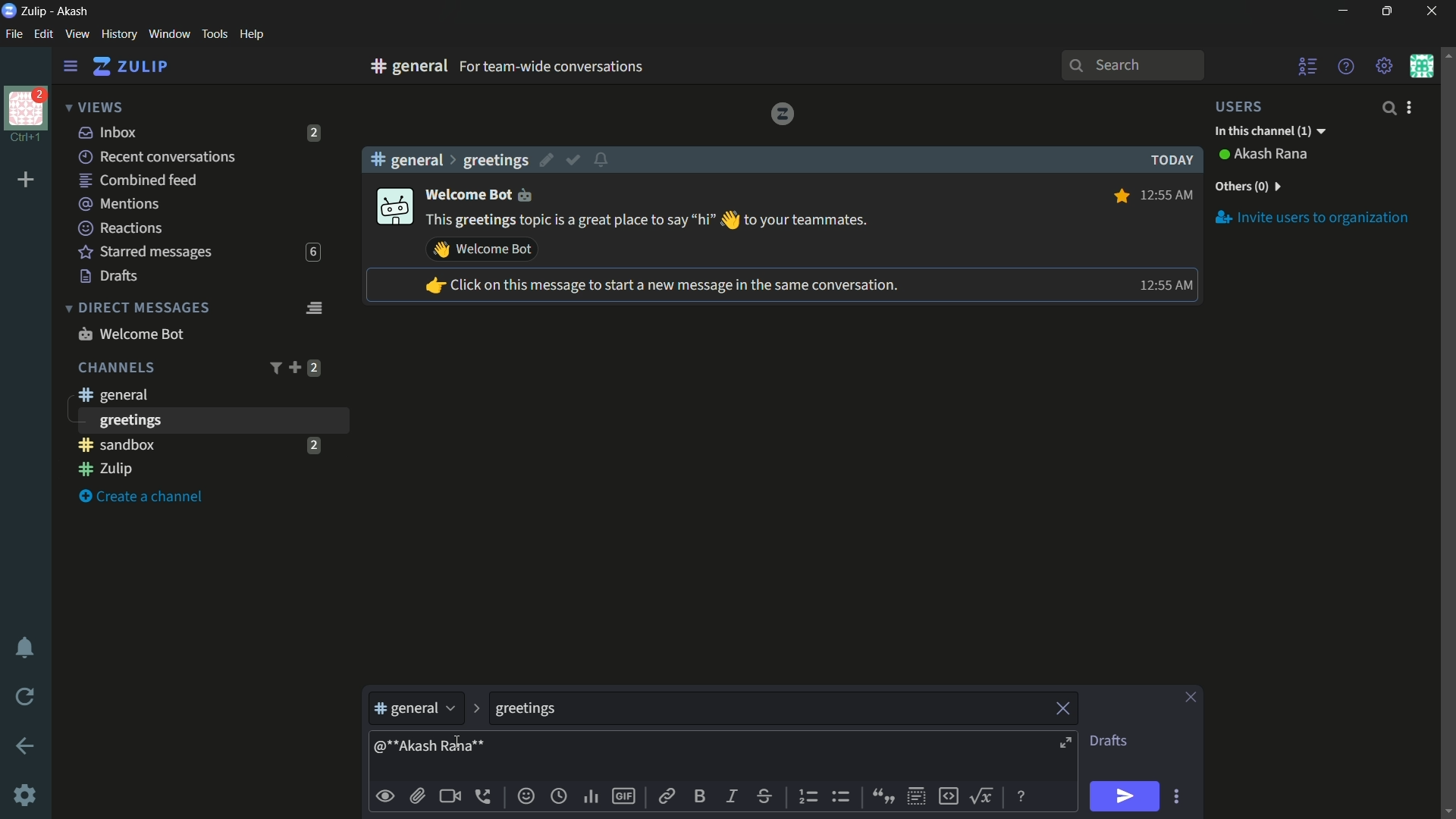 The height and width of the screenshot is (819, 1456). Describe the element at coordinates (648, 221) in the screenshot. I see `This greeting topic is a great place to say hi to your teammates` at that location.